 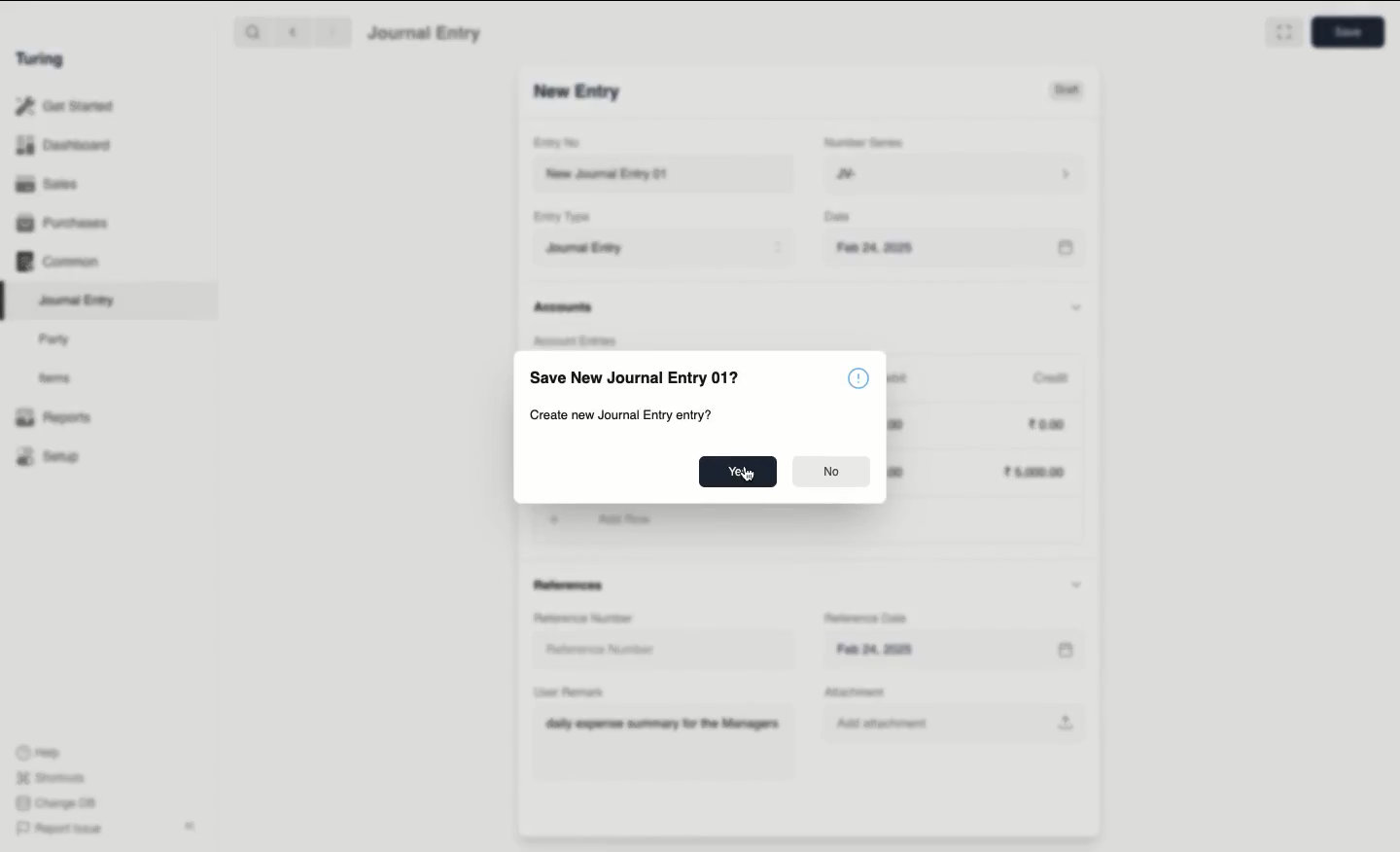 What do you see at coordinates (63, 225) in the screenshot?
I see `Purchases` at bounding box center [63, 225].